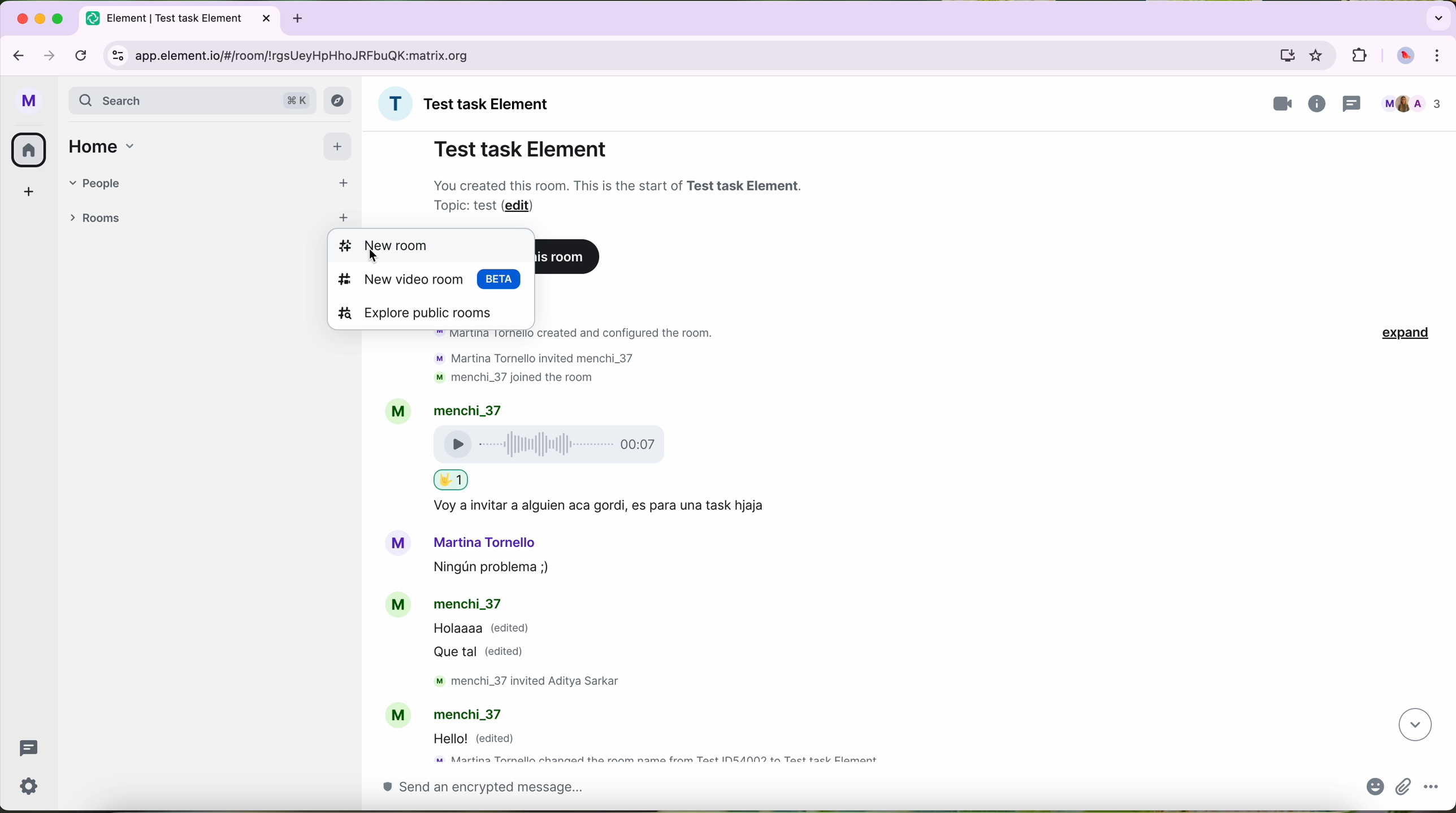 The image size is (1456, 813). I want to click on navigate foward, so click(50, 55).